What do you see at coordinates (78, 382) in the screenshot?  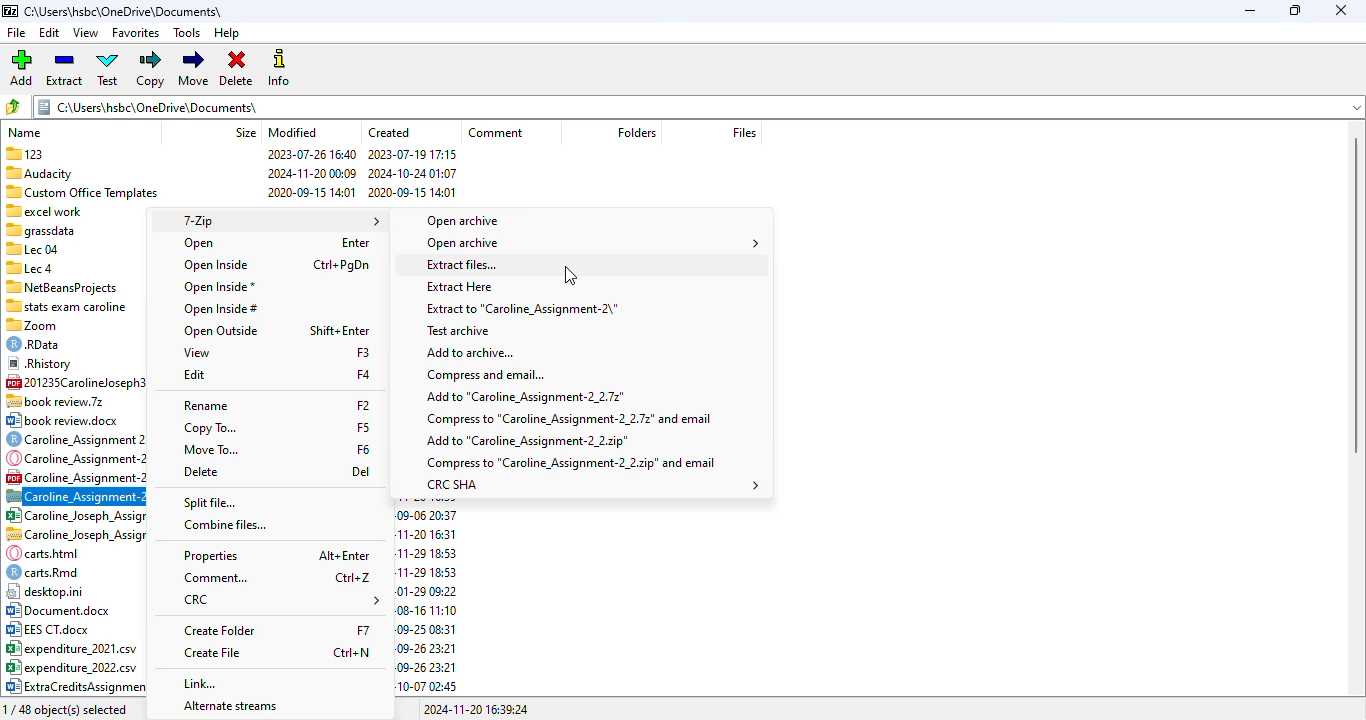 I see ` 201235CarolineJoseph3... 854886 2020-10-09 19:02 2020-10-09 19:05` at bounding box center [78, 382].